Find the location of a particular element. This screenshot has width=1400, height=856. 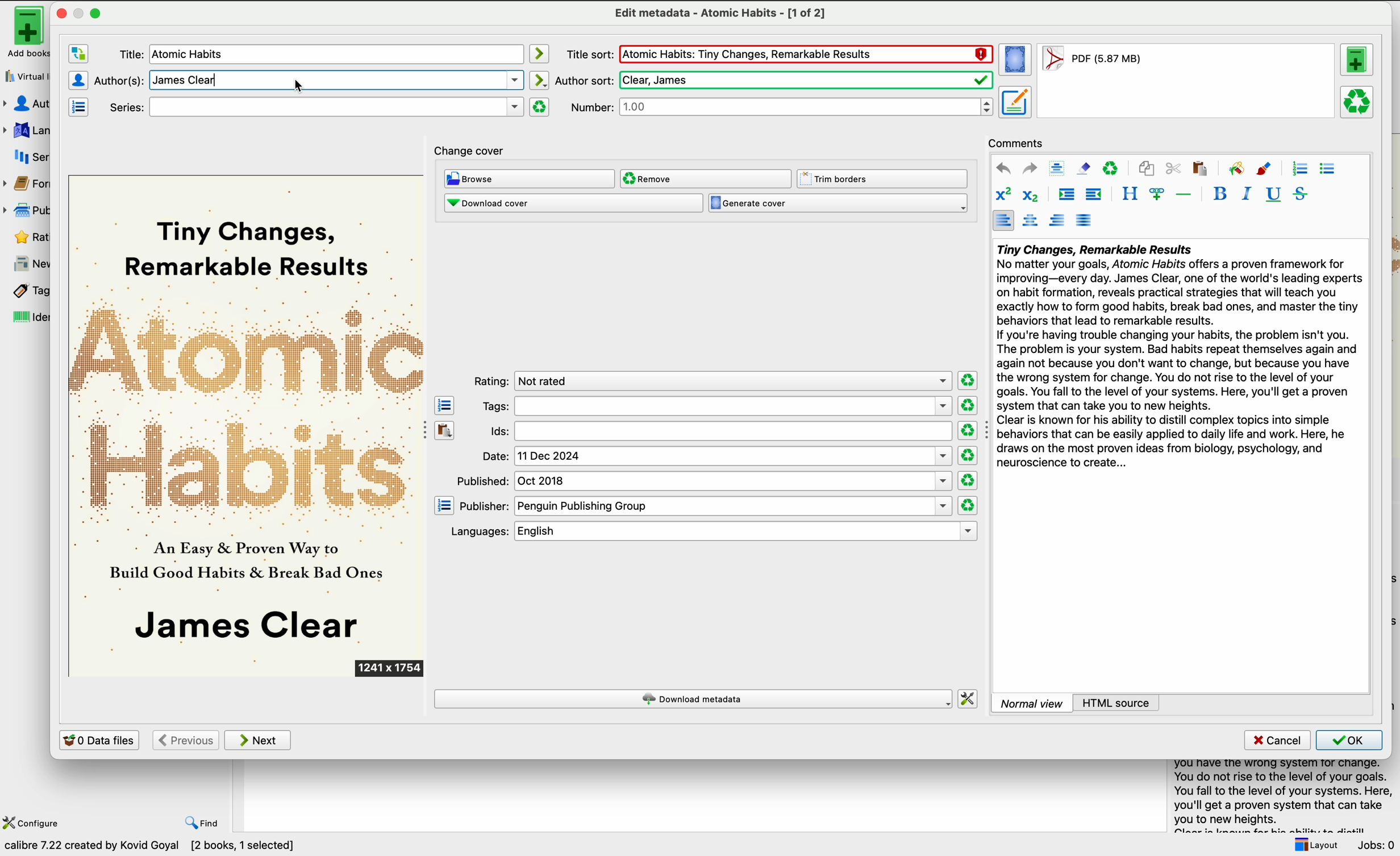

undo is located at coordinates (1003, 168).